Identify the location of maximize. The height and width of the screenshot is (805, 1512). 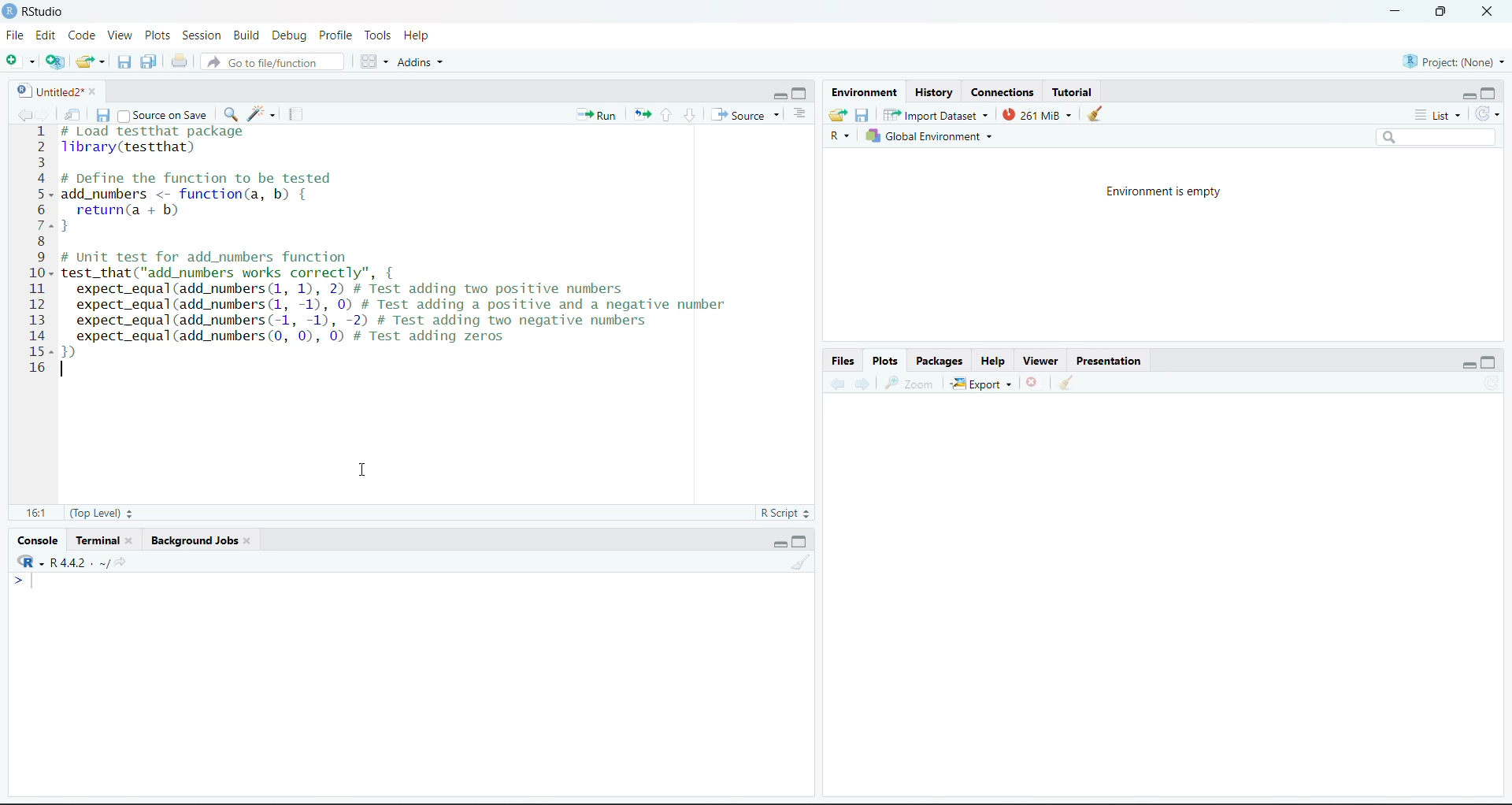
(801, 540).